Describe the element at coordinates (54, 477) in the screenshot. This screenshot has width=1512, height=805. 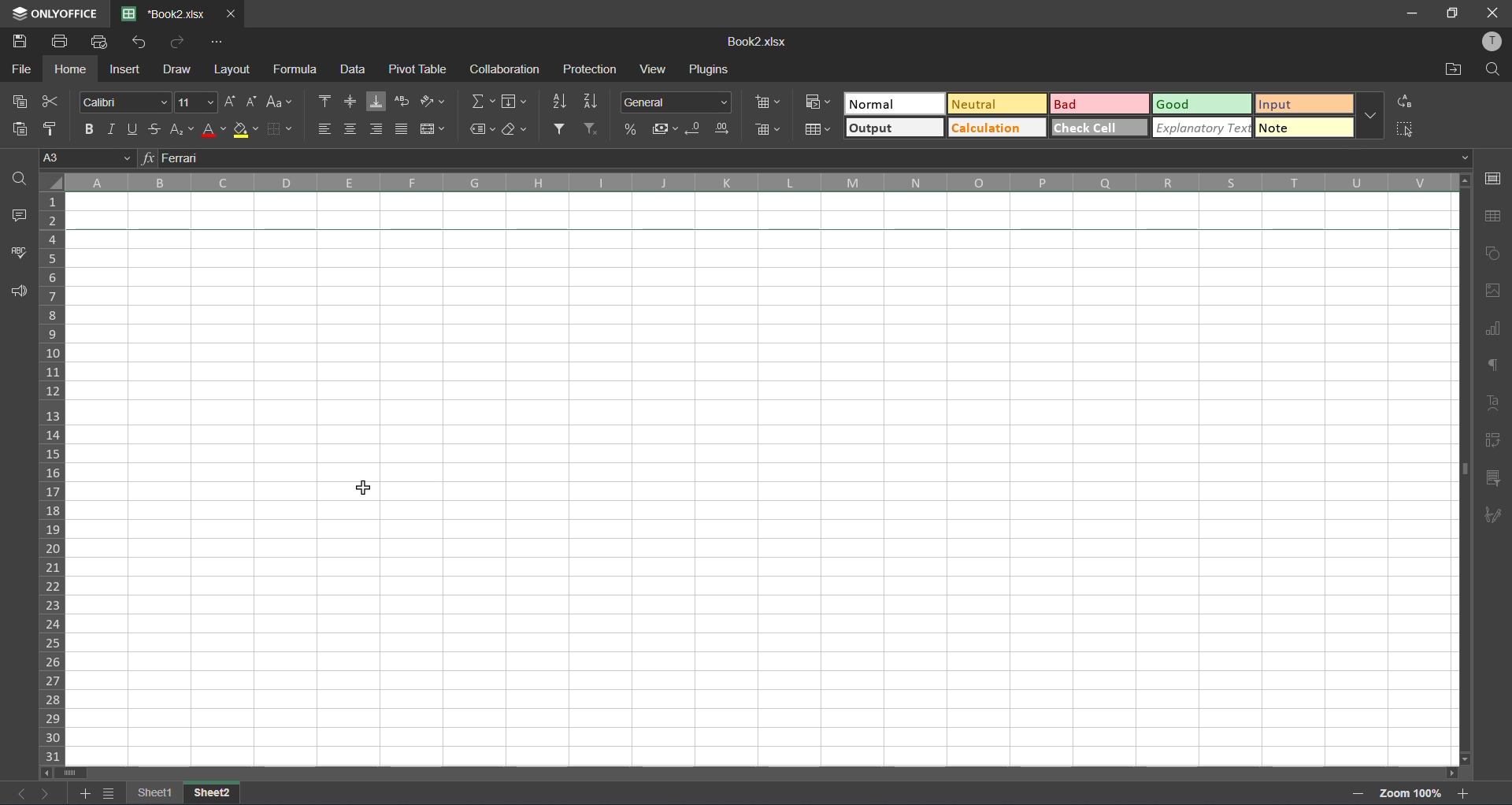
I see `row numbers` at that location.